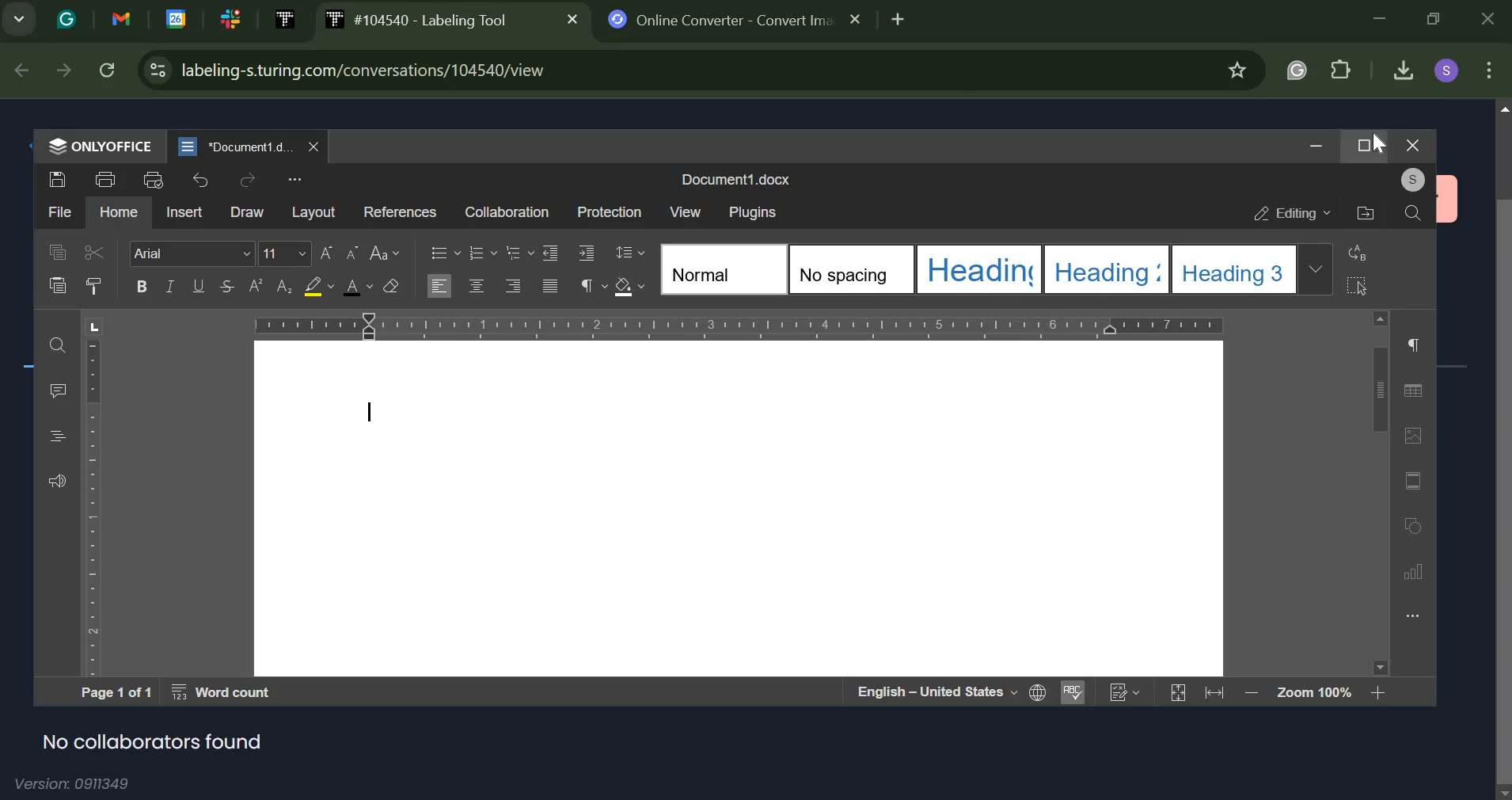 The image size is (1512, 800). What do you see at coordinates (629, 251) in the screenshot?
I see `line spacing` at bounding box center [629, 251].